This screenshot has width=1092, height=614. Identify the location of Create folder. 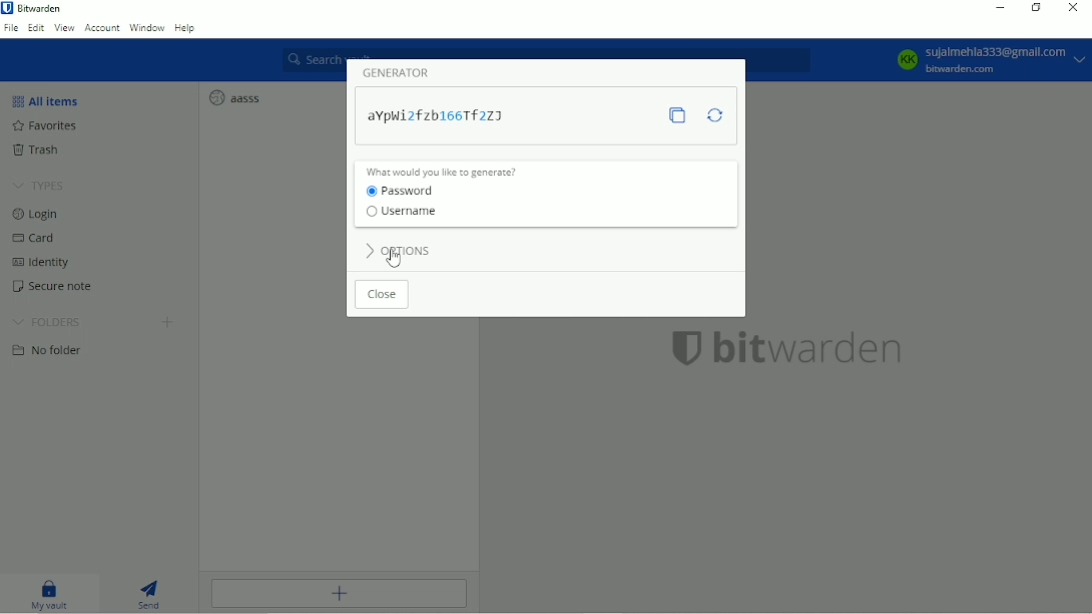
(167, 324).